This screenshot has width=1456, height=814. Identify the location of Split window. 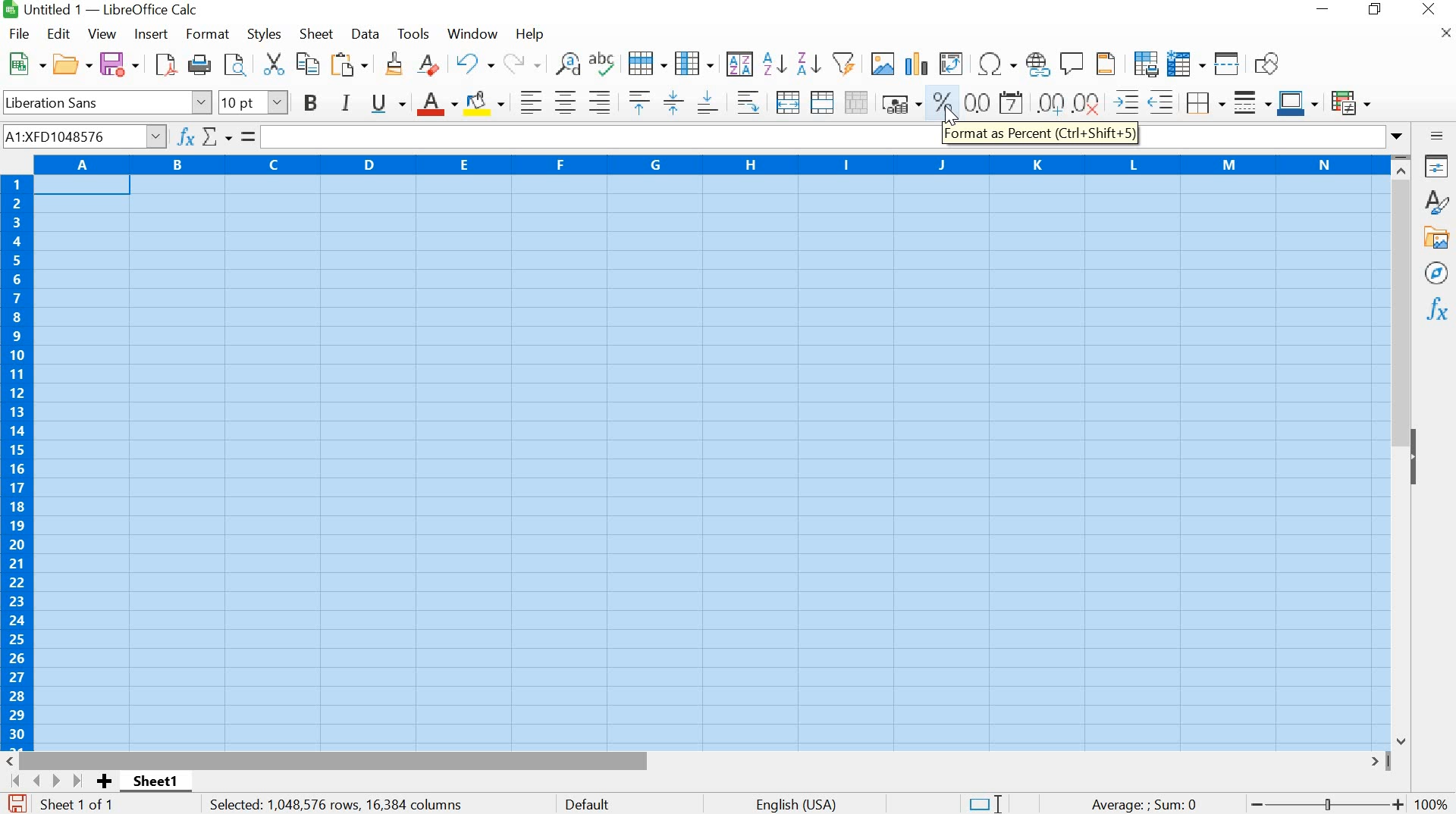
(1225, 64).